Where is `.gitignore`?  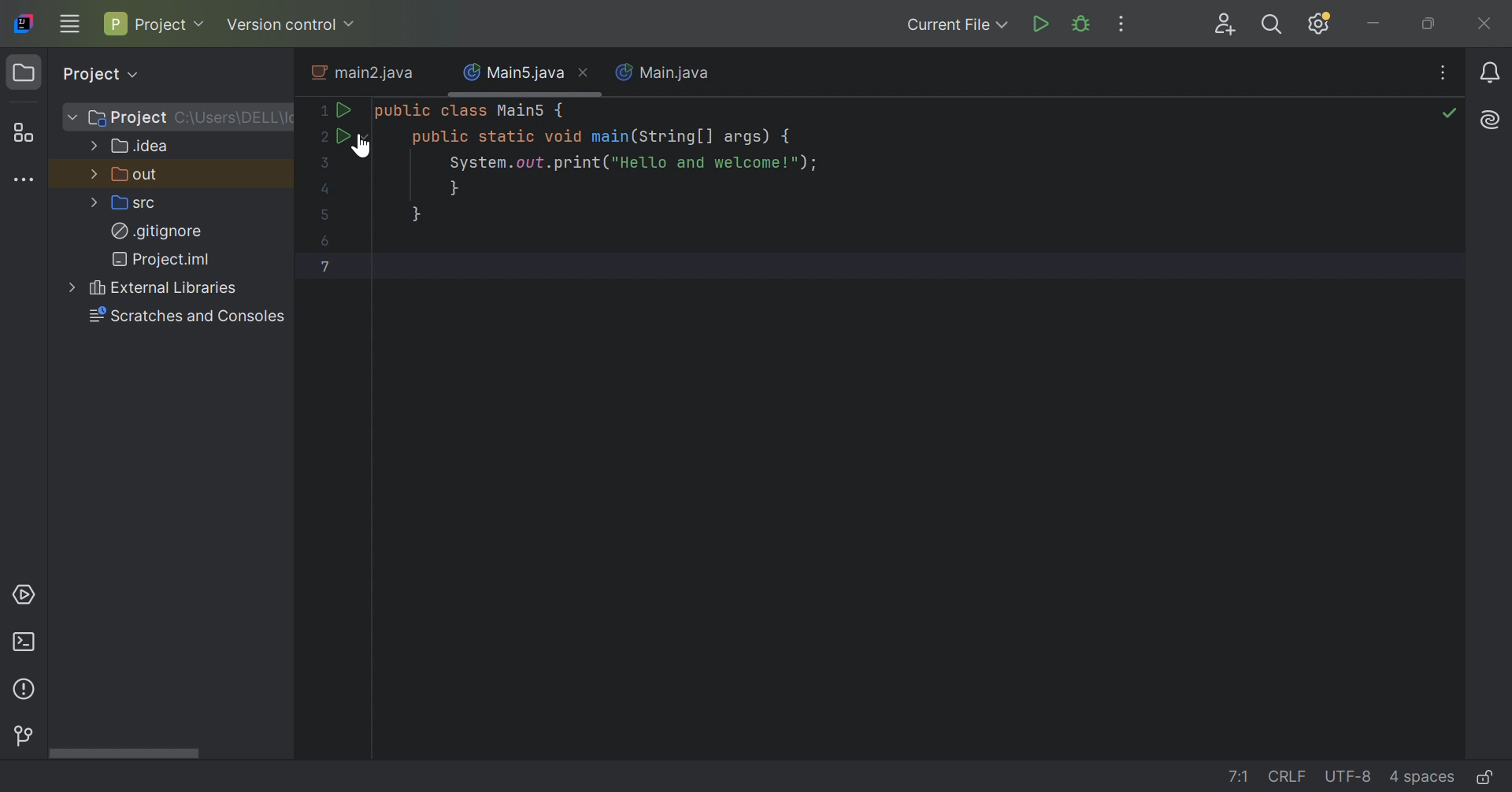 .gitignore is located at coordinates (158, 229).